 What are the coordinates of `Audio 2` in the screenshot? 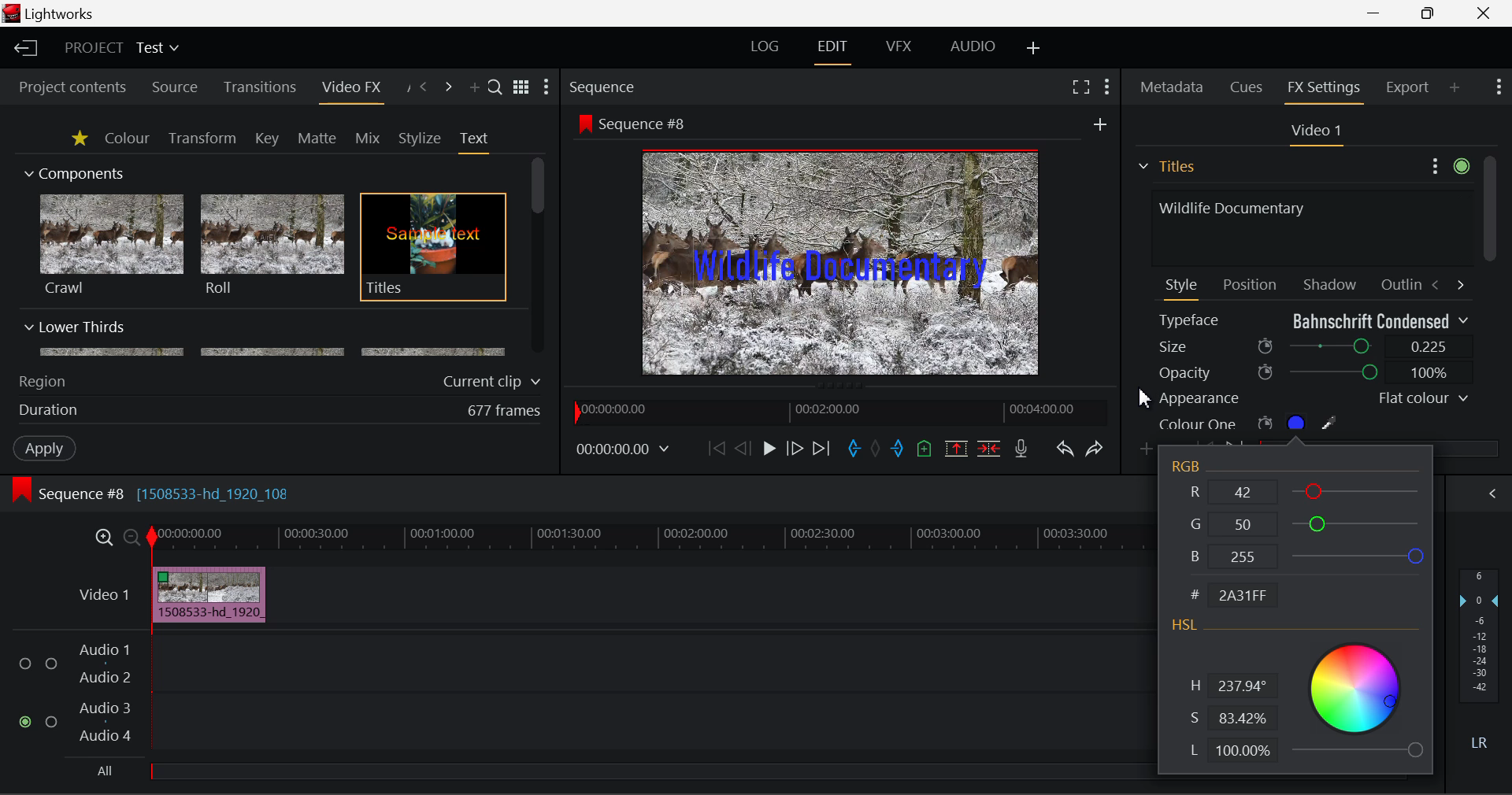 It's located at (106, 678).